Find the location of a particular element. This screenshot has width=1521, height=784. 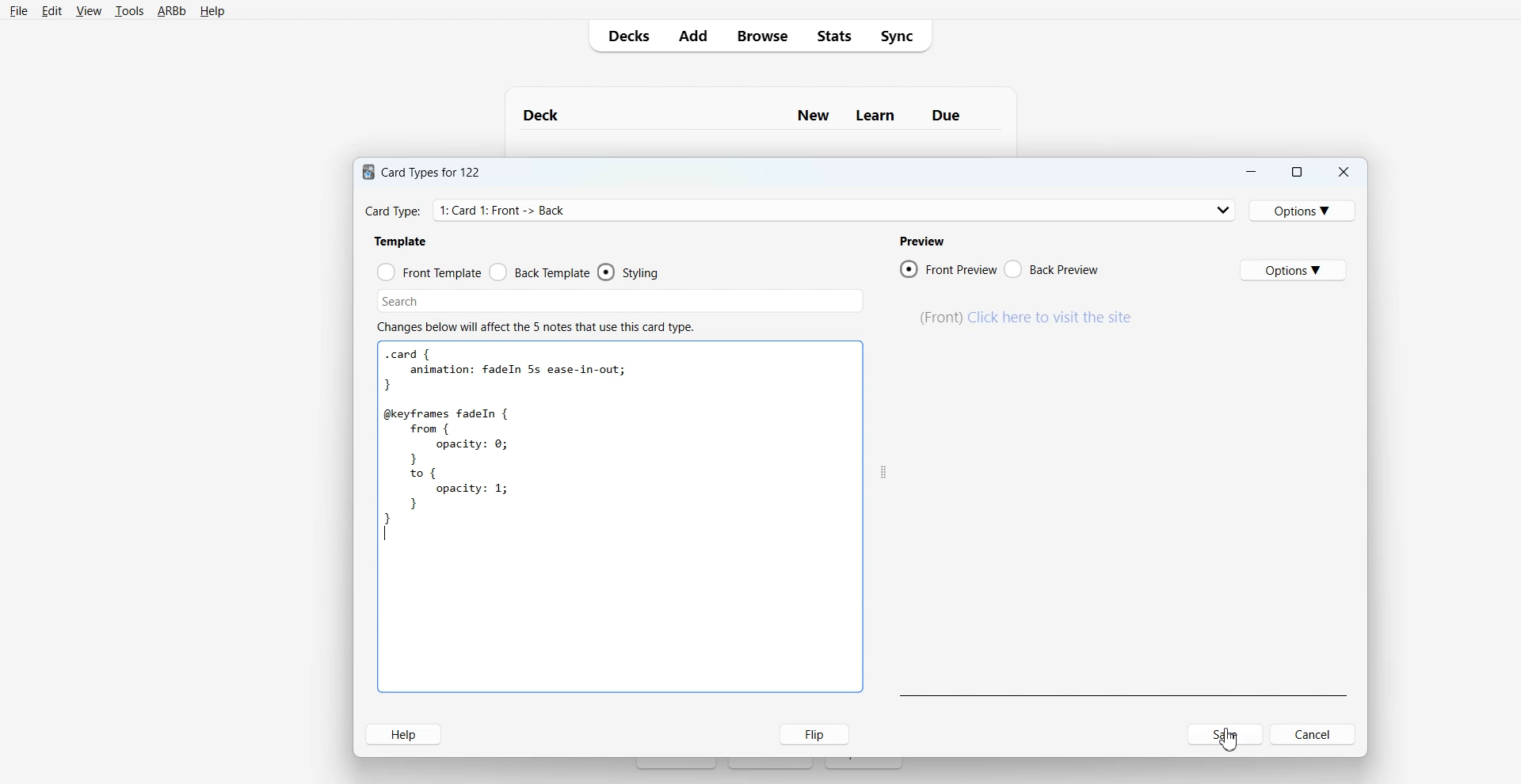

Text is located at coordinates (1232, 739).